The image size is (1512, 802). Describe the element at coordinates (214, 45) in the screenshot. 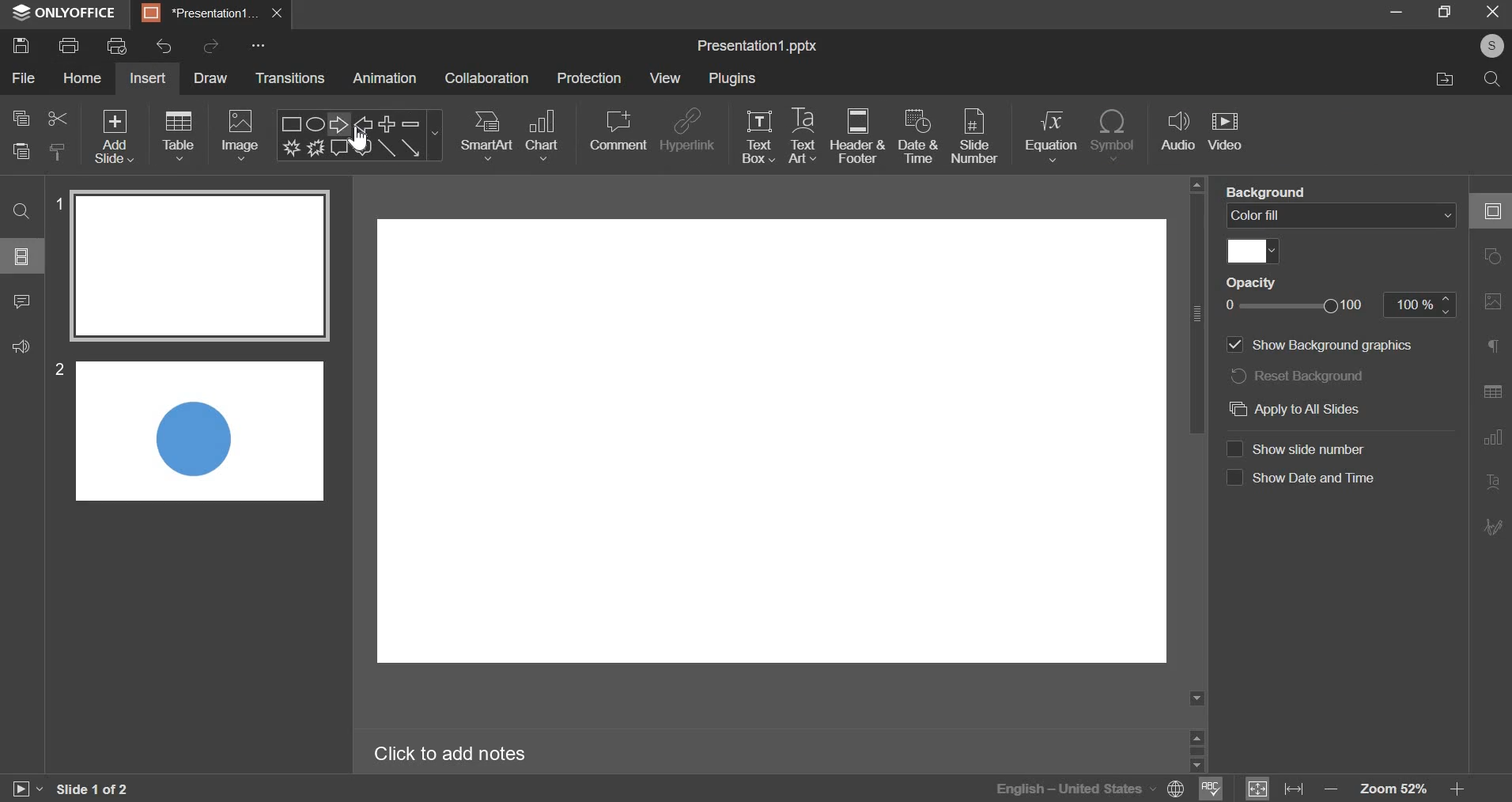

I see `redo` at that location.